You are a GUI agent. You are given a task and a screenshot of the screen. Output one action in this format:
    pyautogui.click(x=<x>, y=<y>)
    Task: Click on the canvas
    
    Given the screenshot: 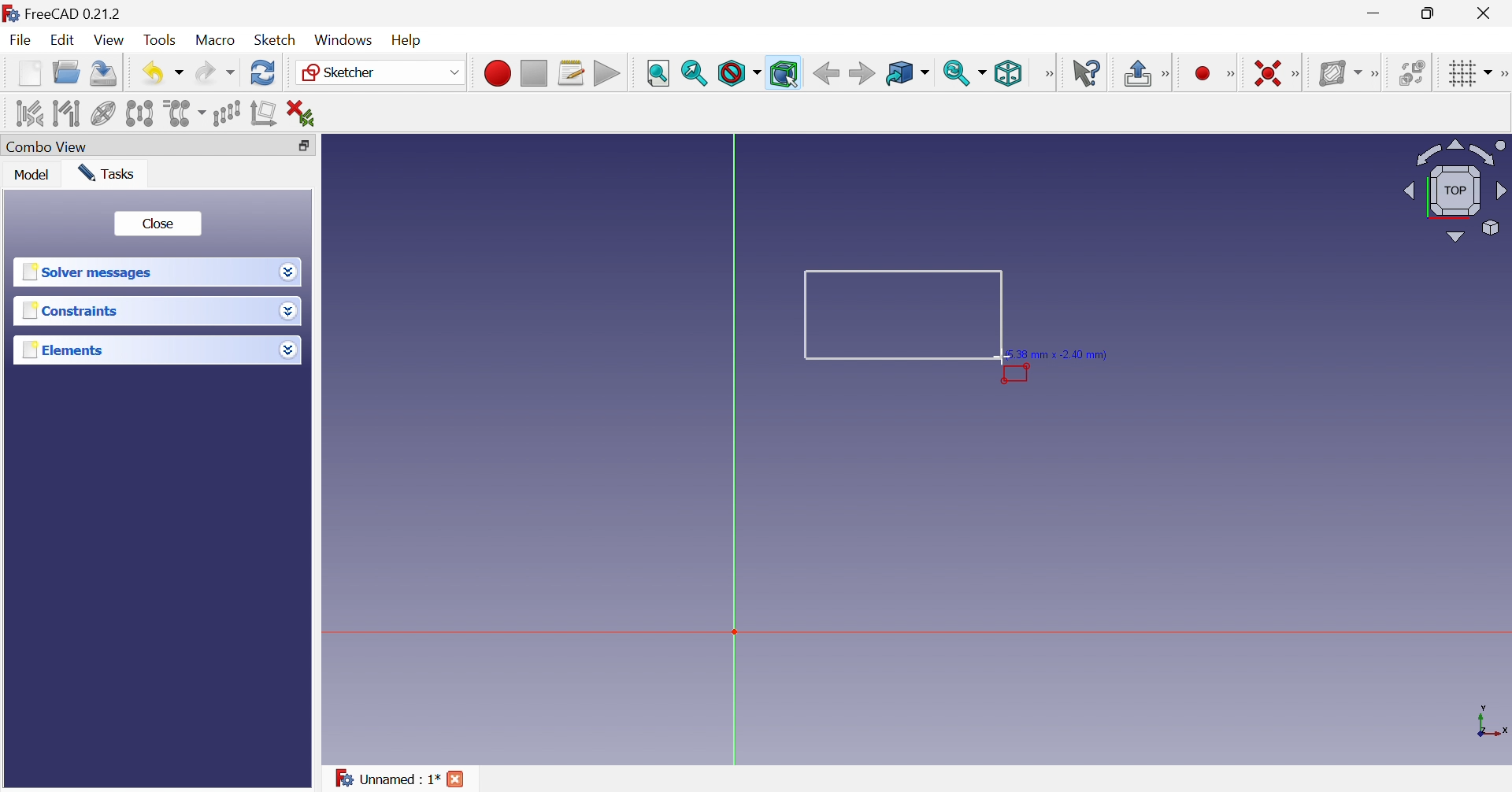 What is the action you would take?
    pyautogui.click(x=879, y=562)
    